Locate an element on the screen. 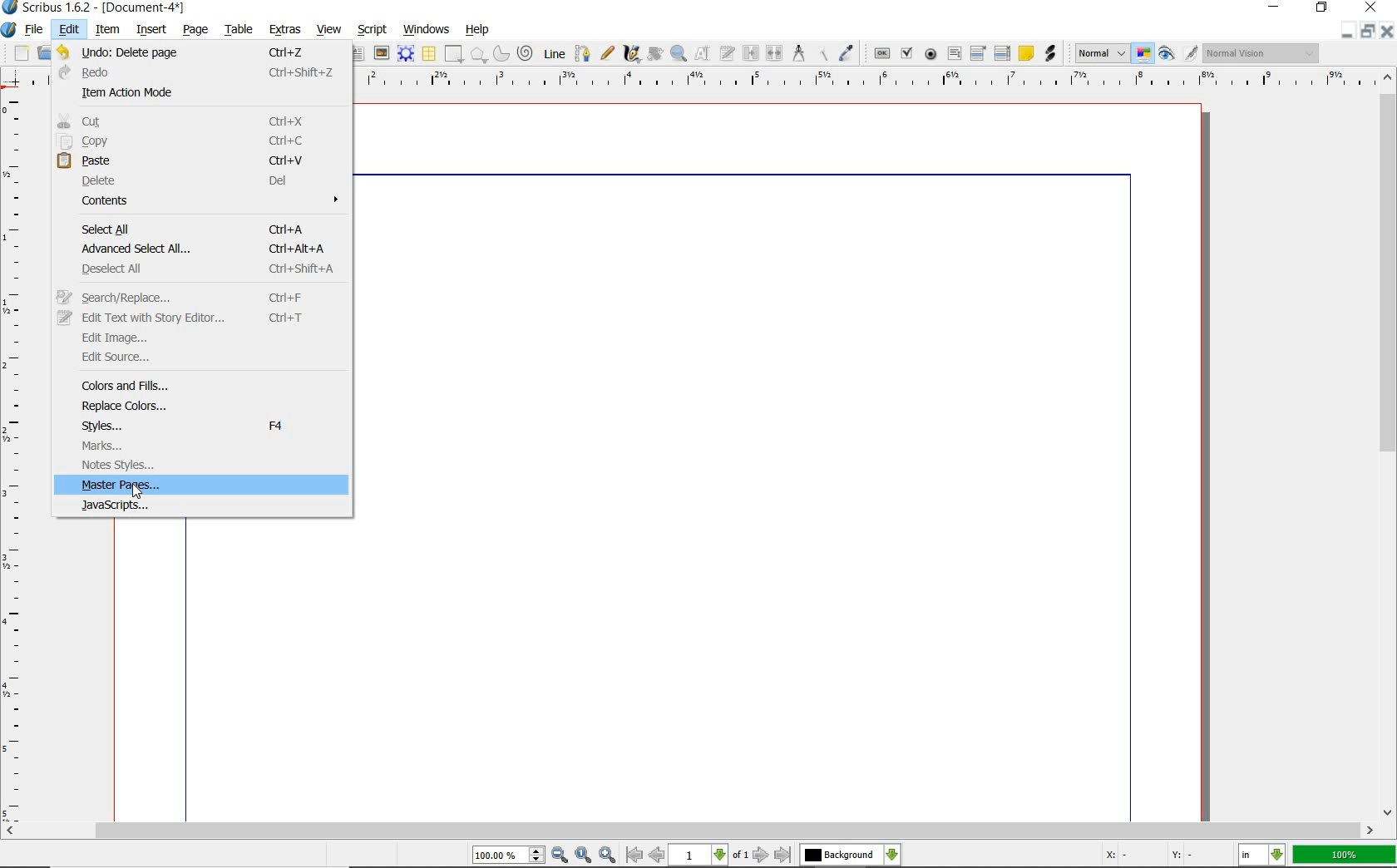 The image size is (1397, 868). item is located at coordinates (108, 31).